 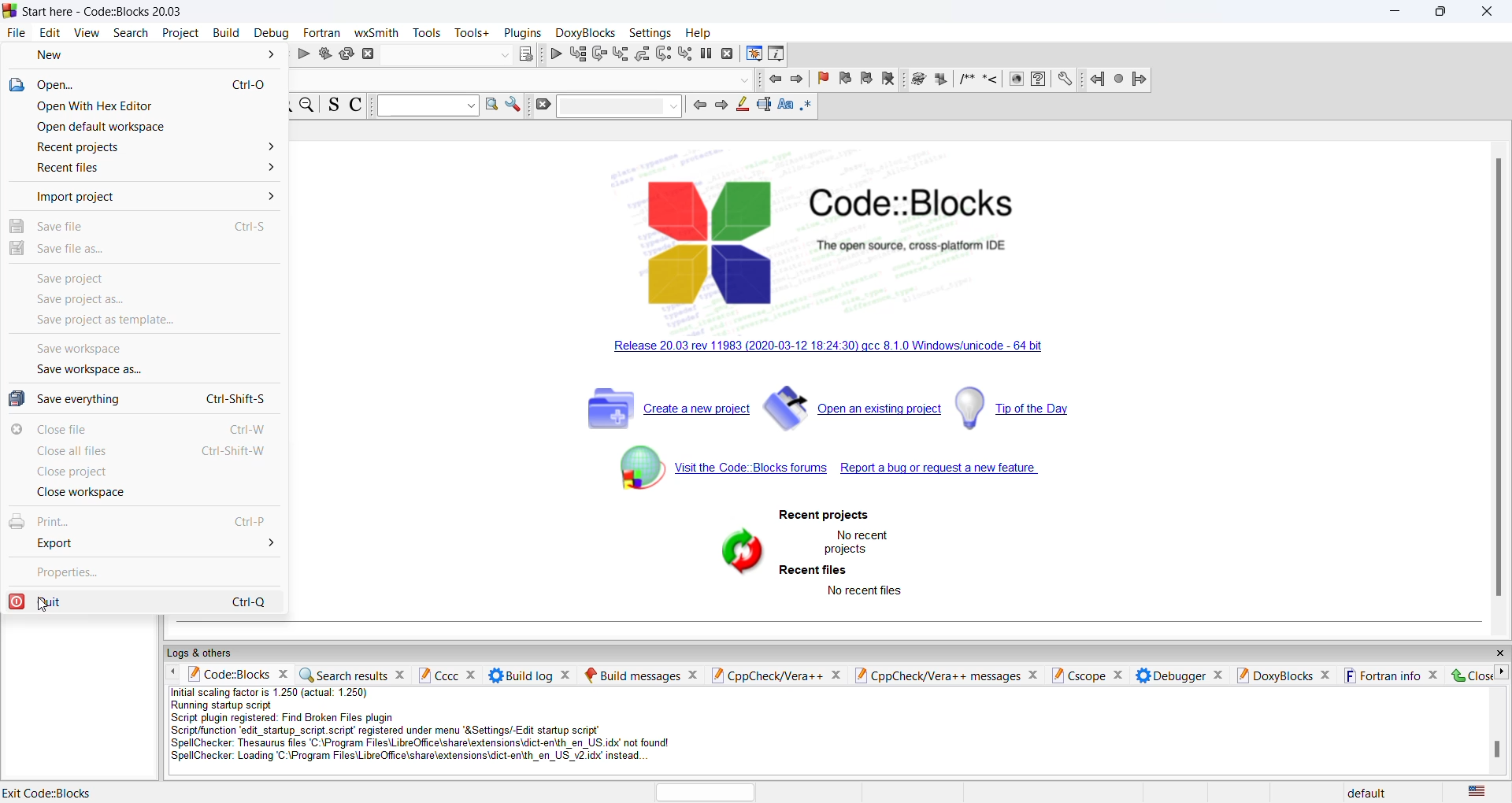 What do you see at coordinates (1171, 675) in the screenshot?
I see `debugger` at bounding box center [1171, 675].